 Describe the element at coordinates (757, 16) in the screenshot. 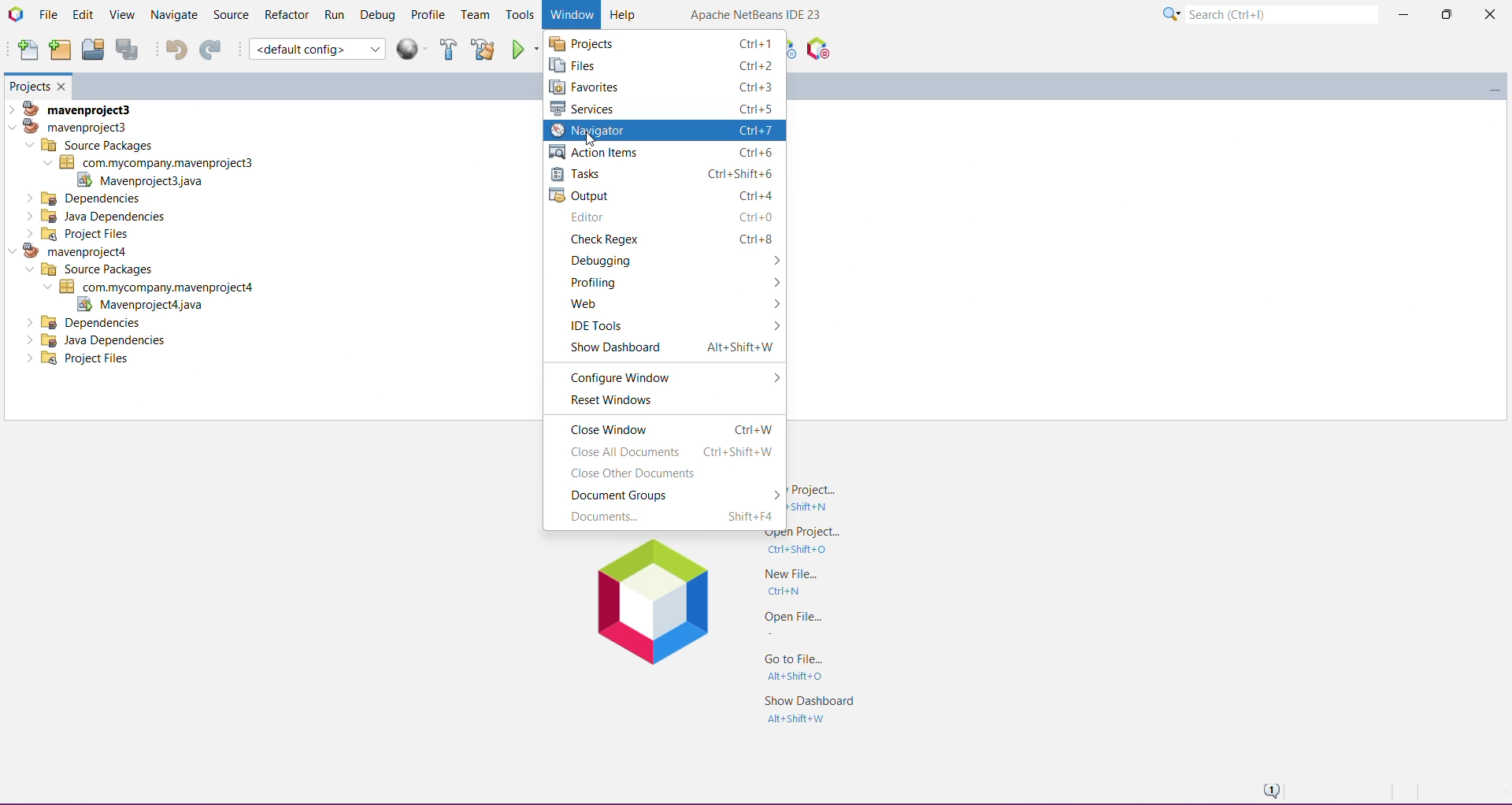

I see `Application Name and Version Name` at that location.